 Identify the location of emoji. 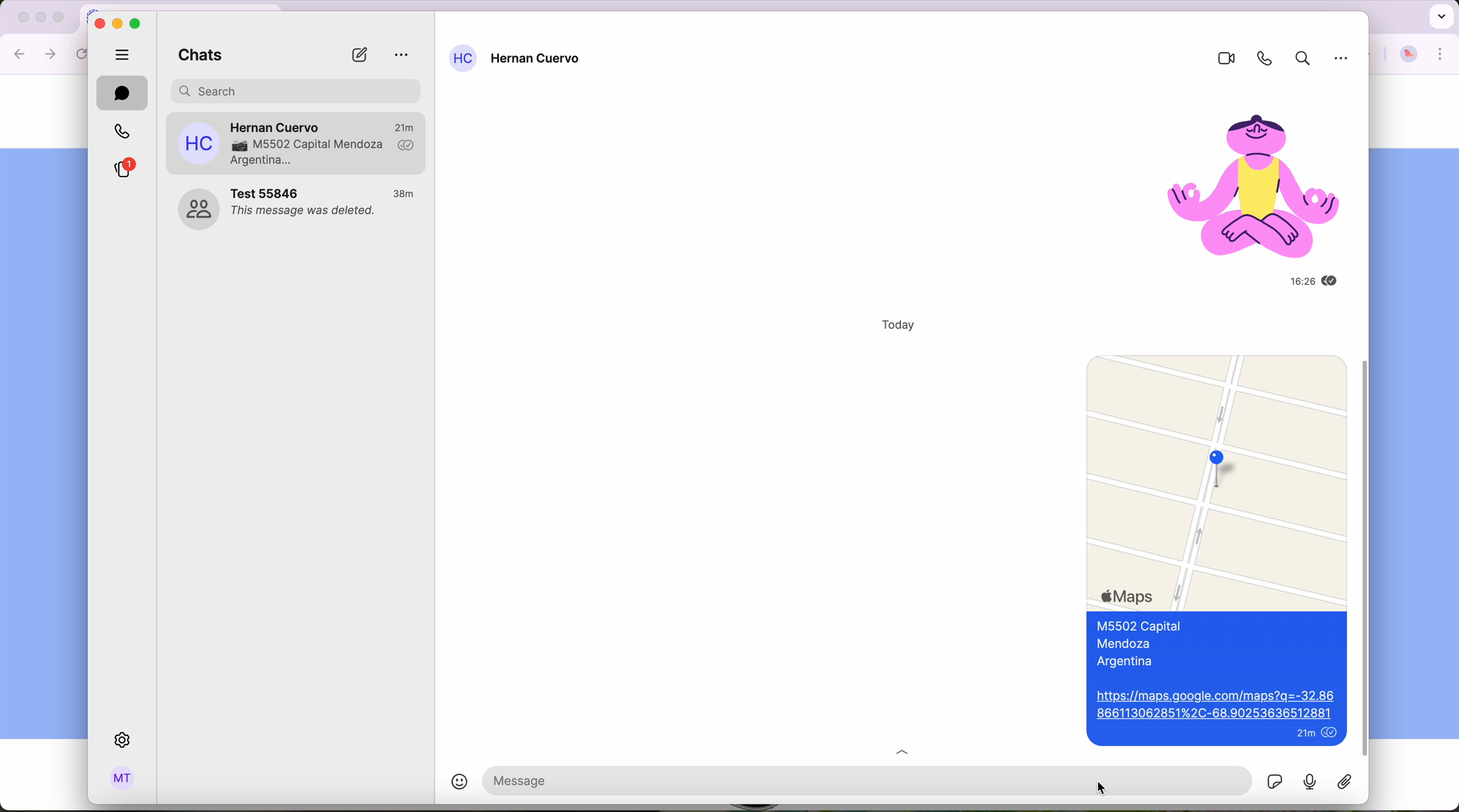
(449, 784).